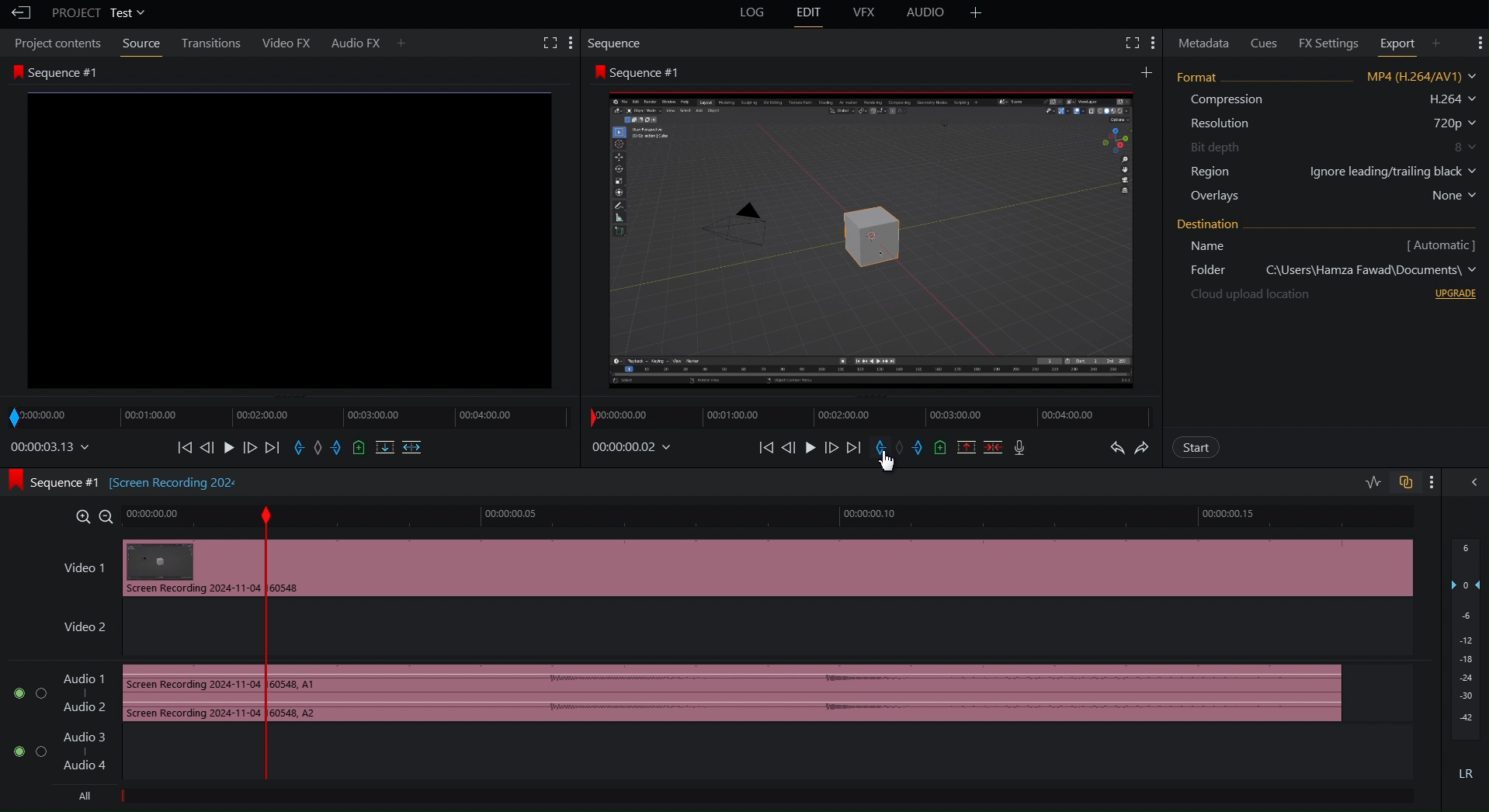  I want to click on More, so click(1435, 483).